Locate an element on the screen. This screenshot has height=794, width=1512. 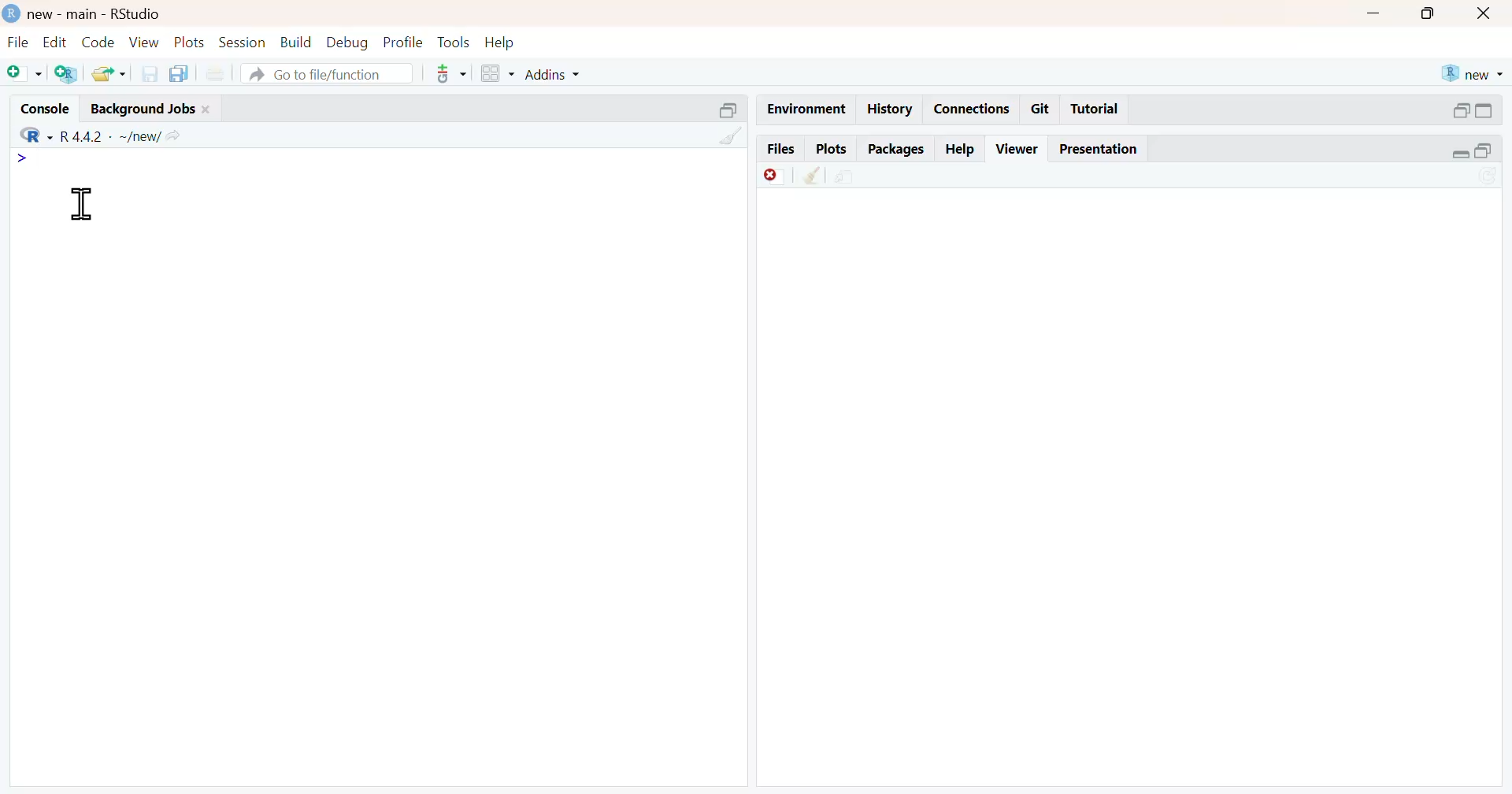
clear console is located at coordinates (730, 137).